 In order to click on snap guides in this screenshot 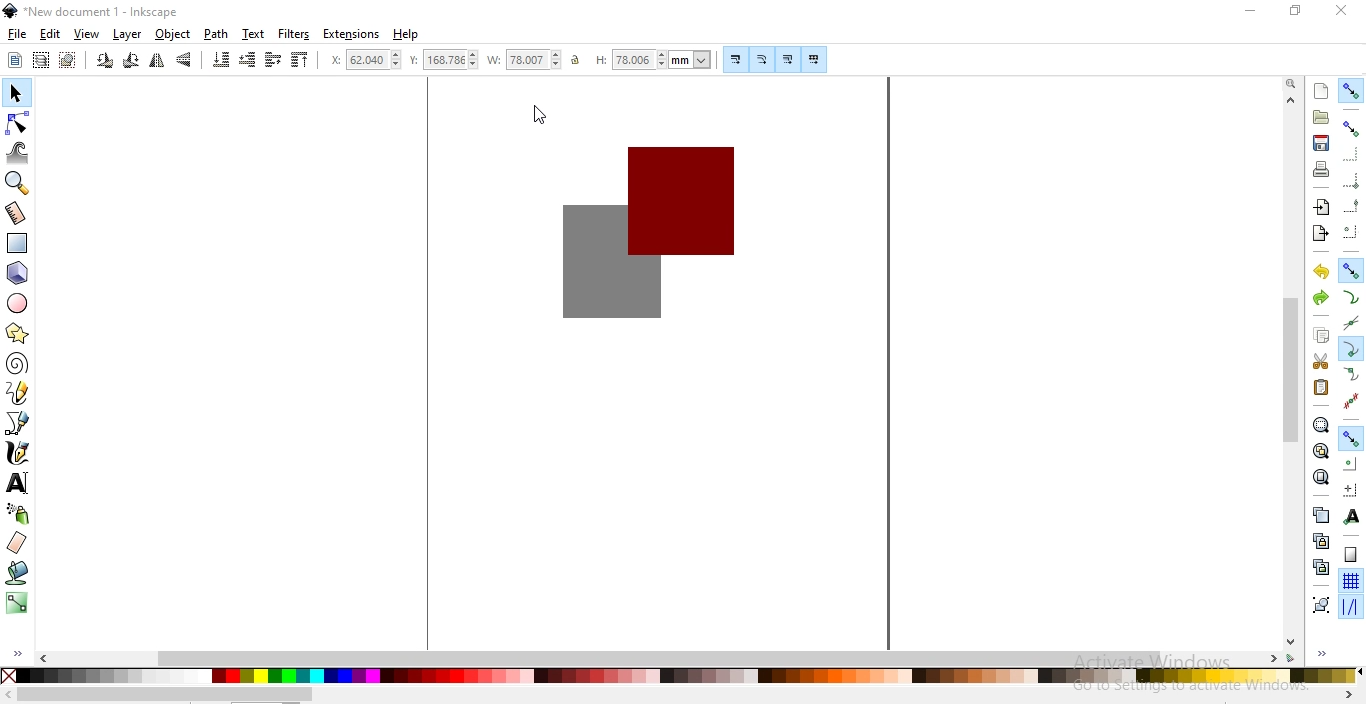, I will do `click(1350, 607)`.